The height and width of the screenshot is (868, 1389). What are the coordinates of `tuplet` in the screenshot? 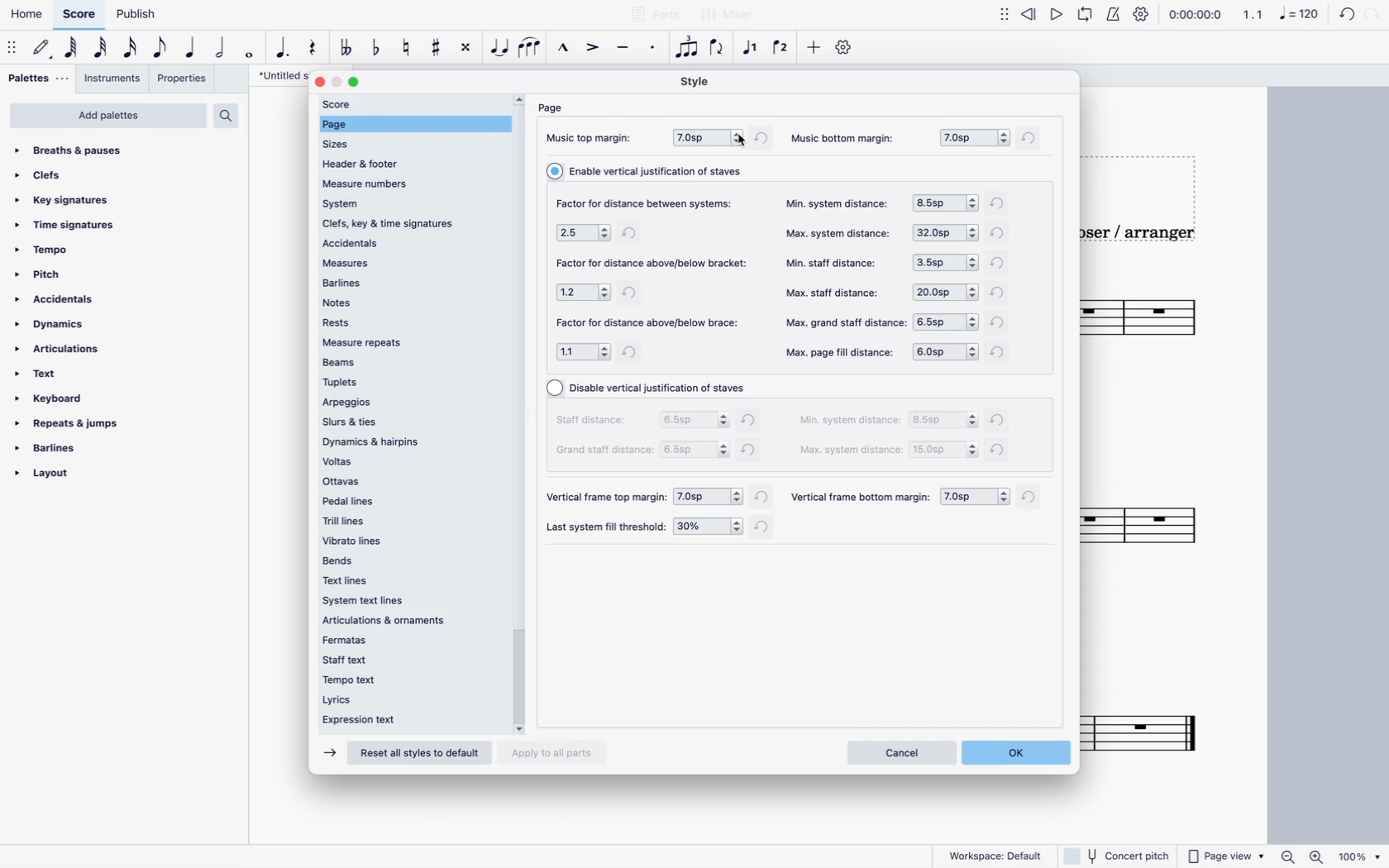 It's located at (688, 46).